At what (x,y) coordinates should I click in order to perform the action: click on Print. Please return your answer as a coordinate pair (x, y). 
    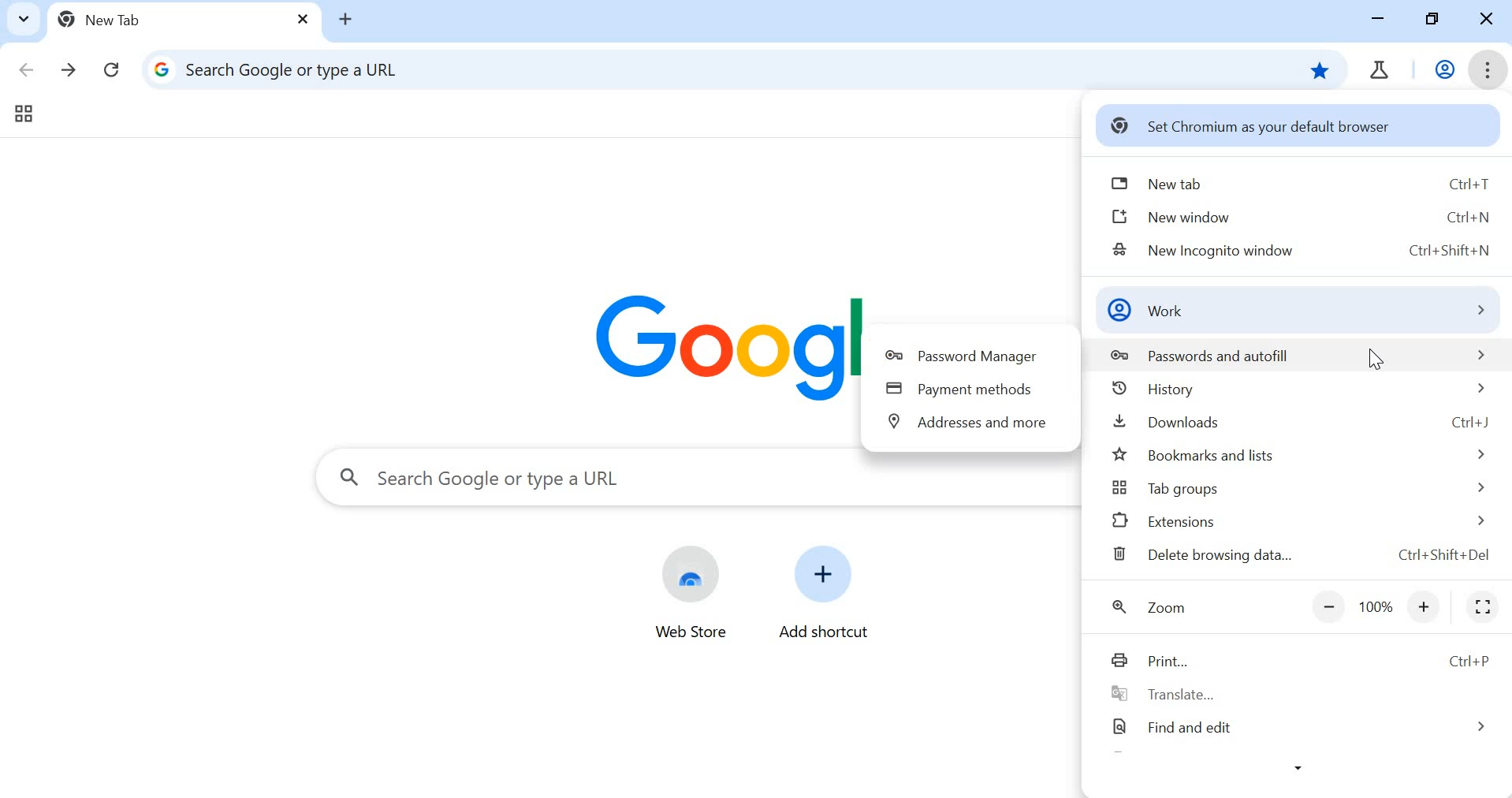
    Looking at the image, I should click on (1295, 656).